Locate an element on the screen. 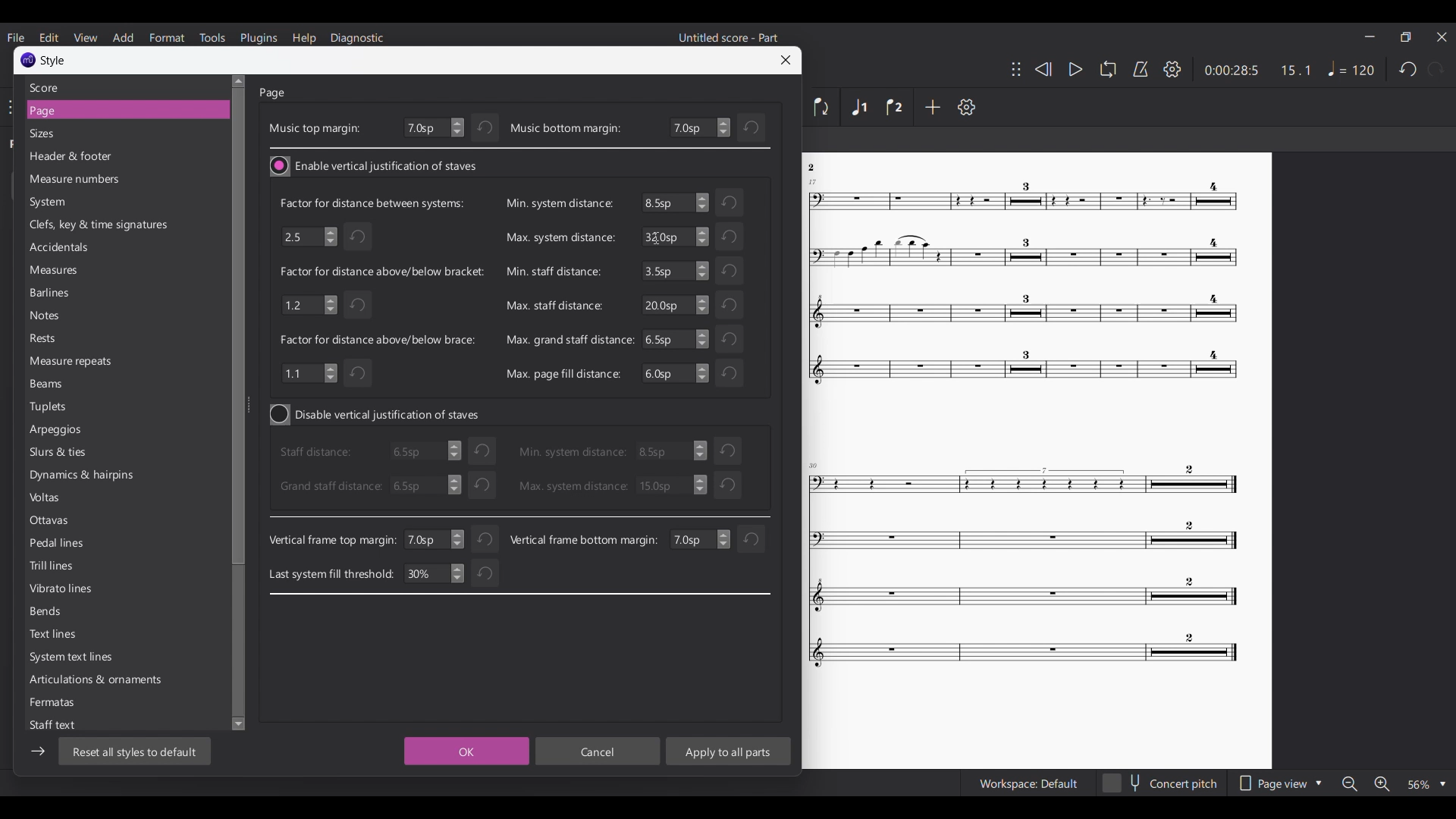  Close is located at coordinates (786, 60).